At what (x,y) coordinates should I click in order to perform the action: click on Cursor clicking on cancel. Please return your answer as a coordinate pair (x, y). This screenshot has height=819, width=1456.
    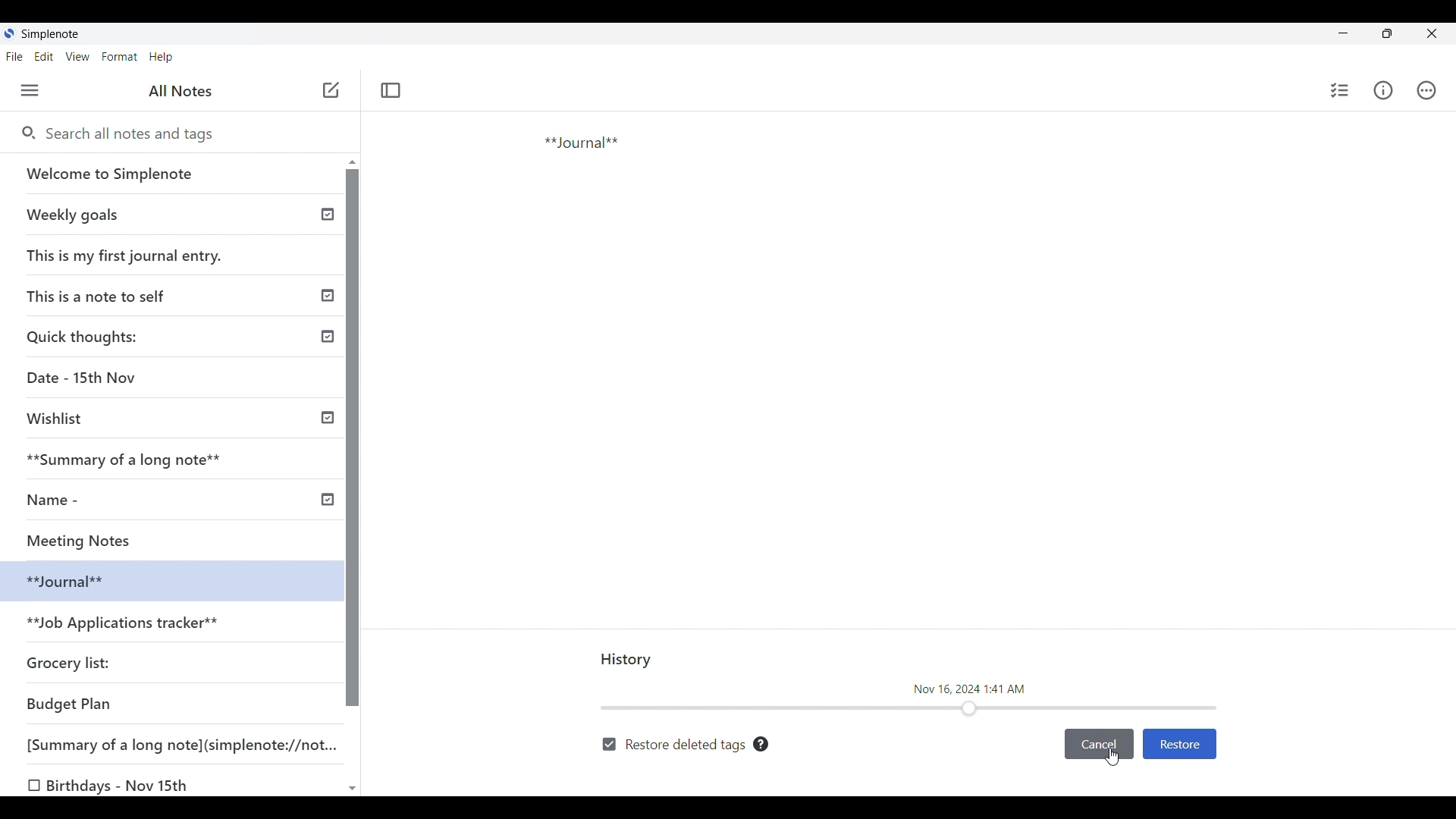
    Looking at the image, I should click on (1112, 758).